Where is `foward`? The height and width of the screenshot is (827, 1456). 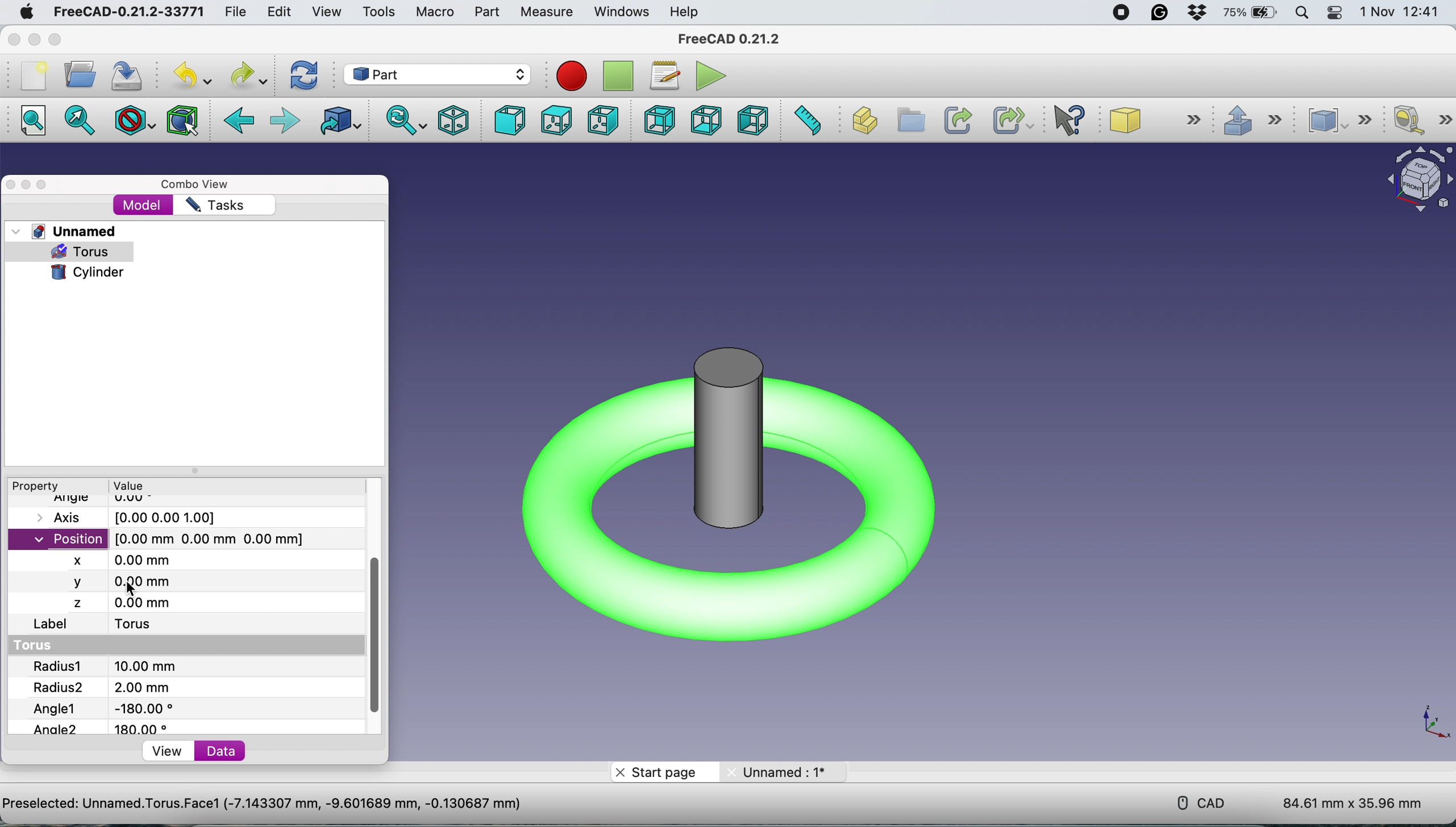
foward is located at coordinates (287, 119).